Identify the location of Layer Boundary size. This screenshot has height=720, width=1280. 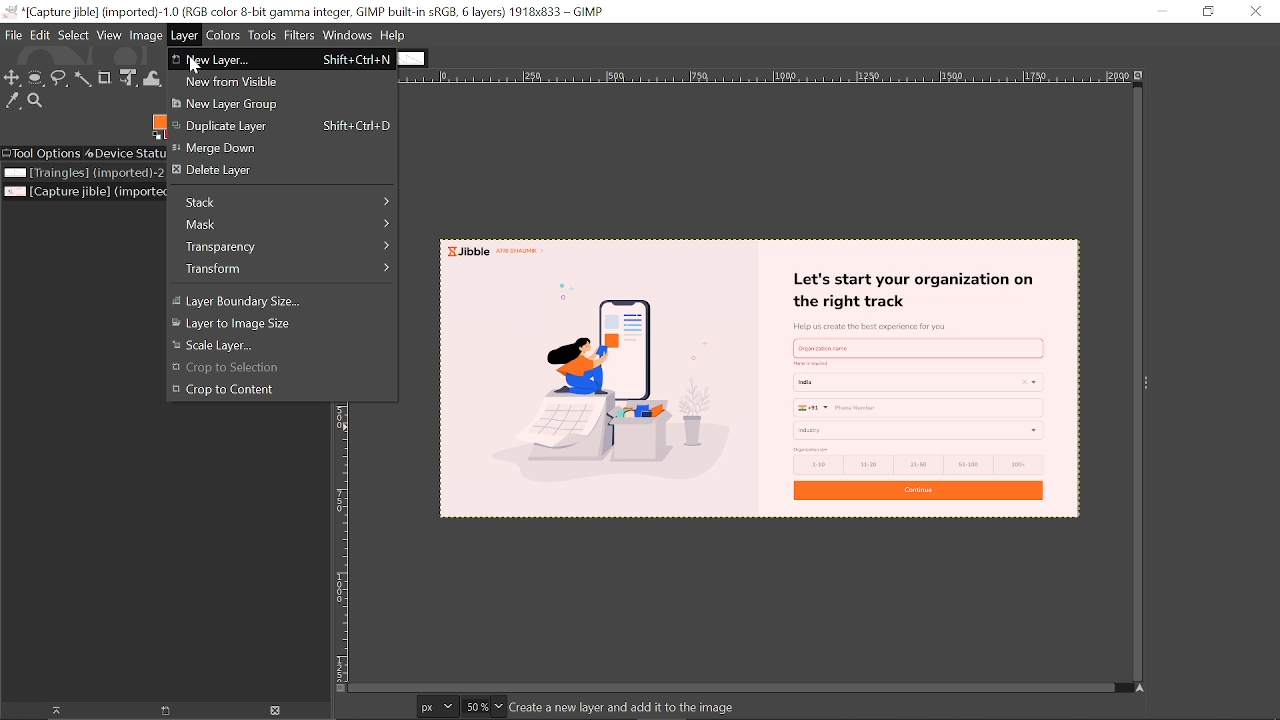
(276, 302).